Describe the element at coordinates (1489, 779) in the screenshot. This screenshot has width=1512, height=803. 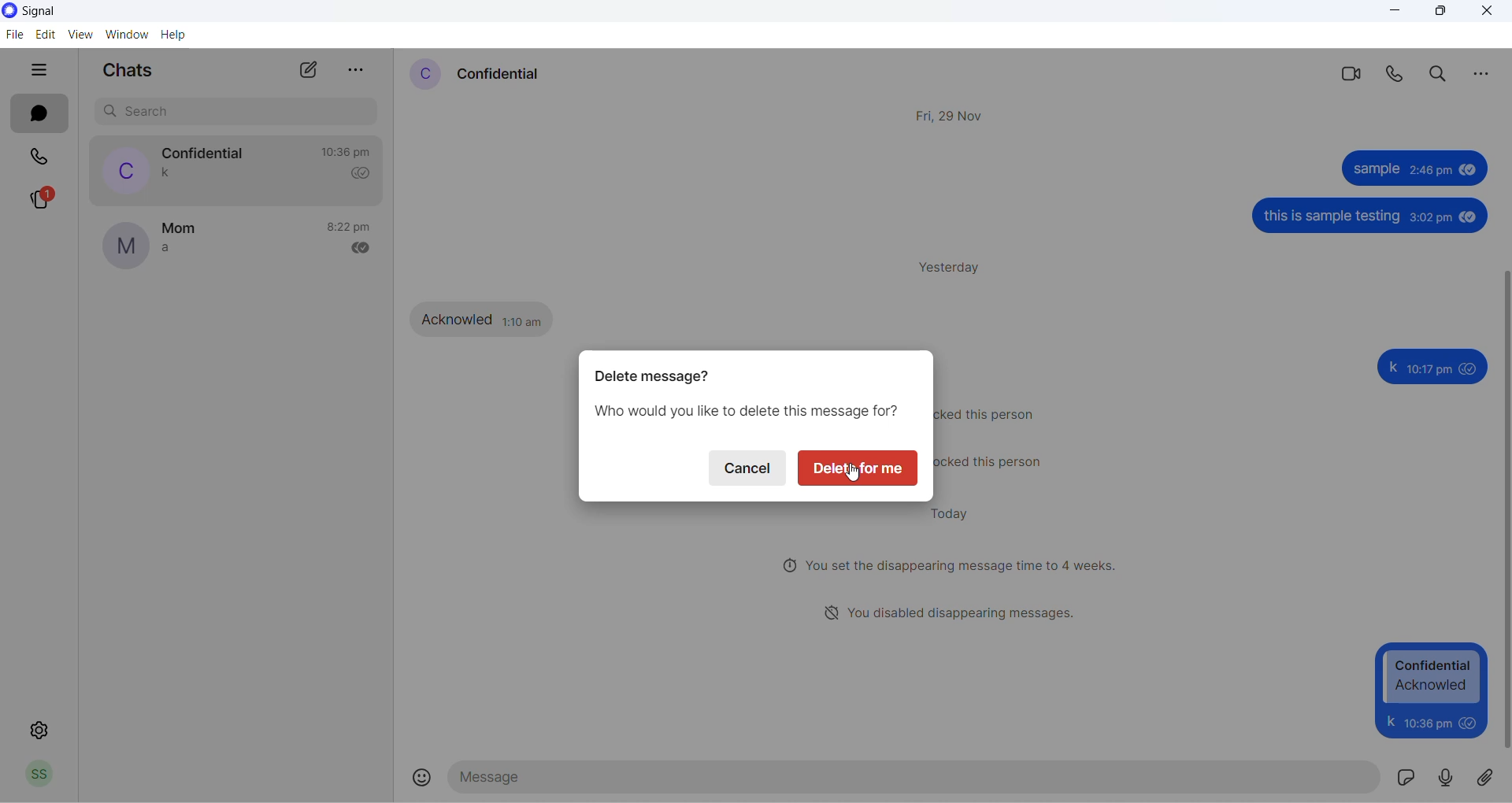
I see `share attachment` at that location.